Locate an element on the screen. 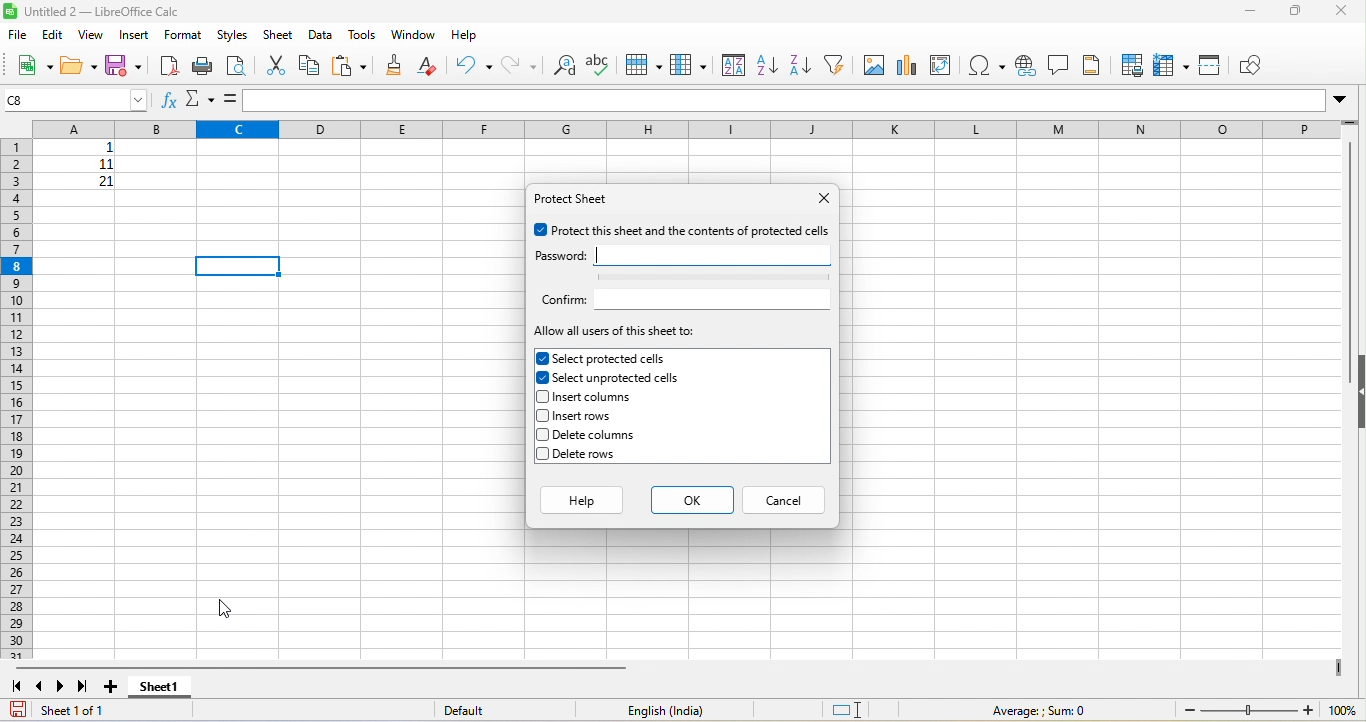  allow all users of this sheet to is located at coordinates (617, 333).